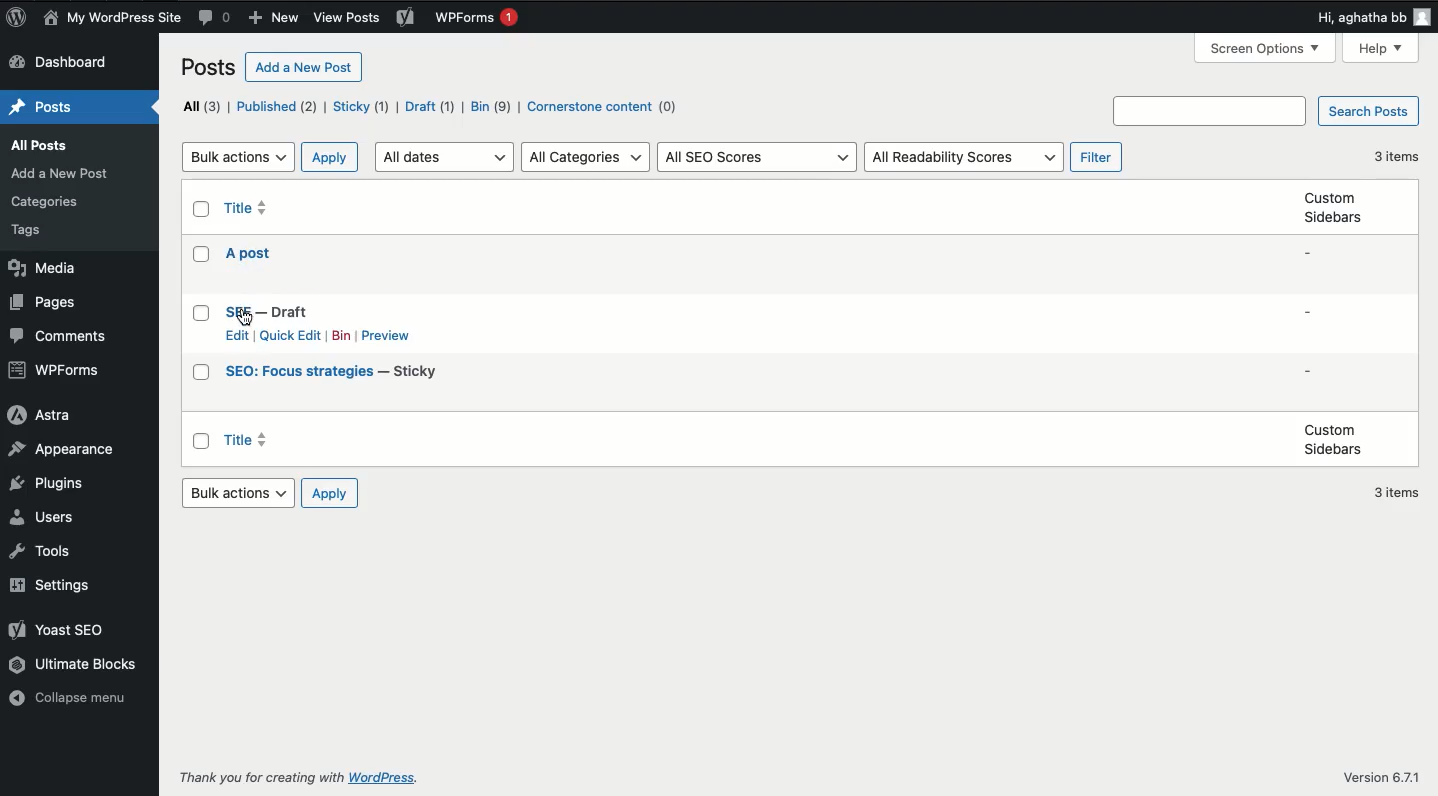 The width and height of the screenshot is (1438, 796). Describe the element at coordinates (389, 336) in the screenshot. I see `Preview ` at that location.